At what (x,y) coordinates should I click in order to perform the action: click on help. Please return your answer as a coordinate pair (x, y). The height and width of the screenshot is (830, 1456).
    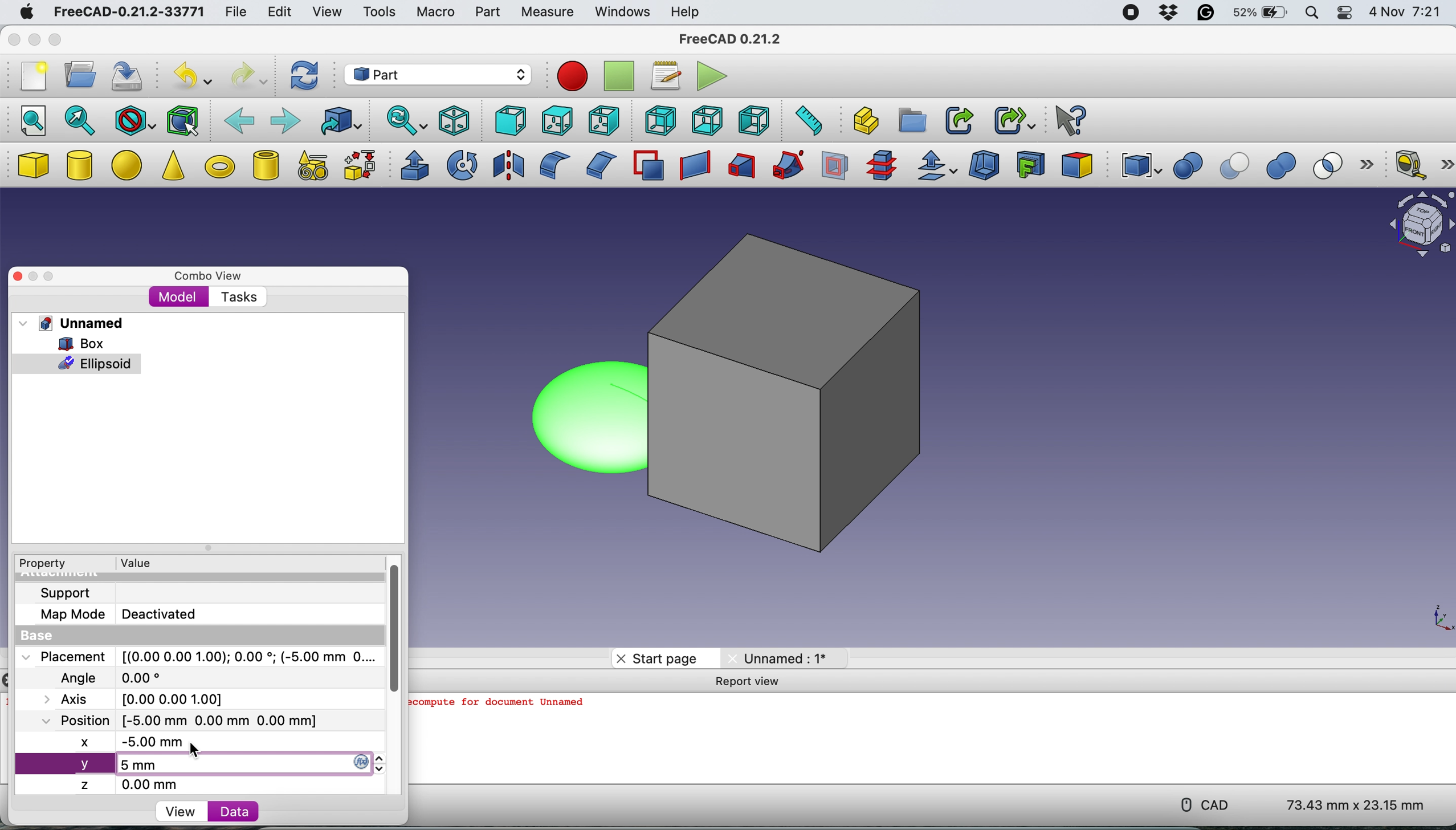
    Looking at the image, I should click on (683, 11).